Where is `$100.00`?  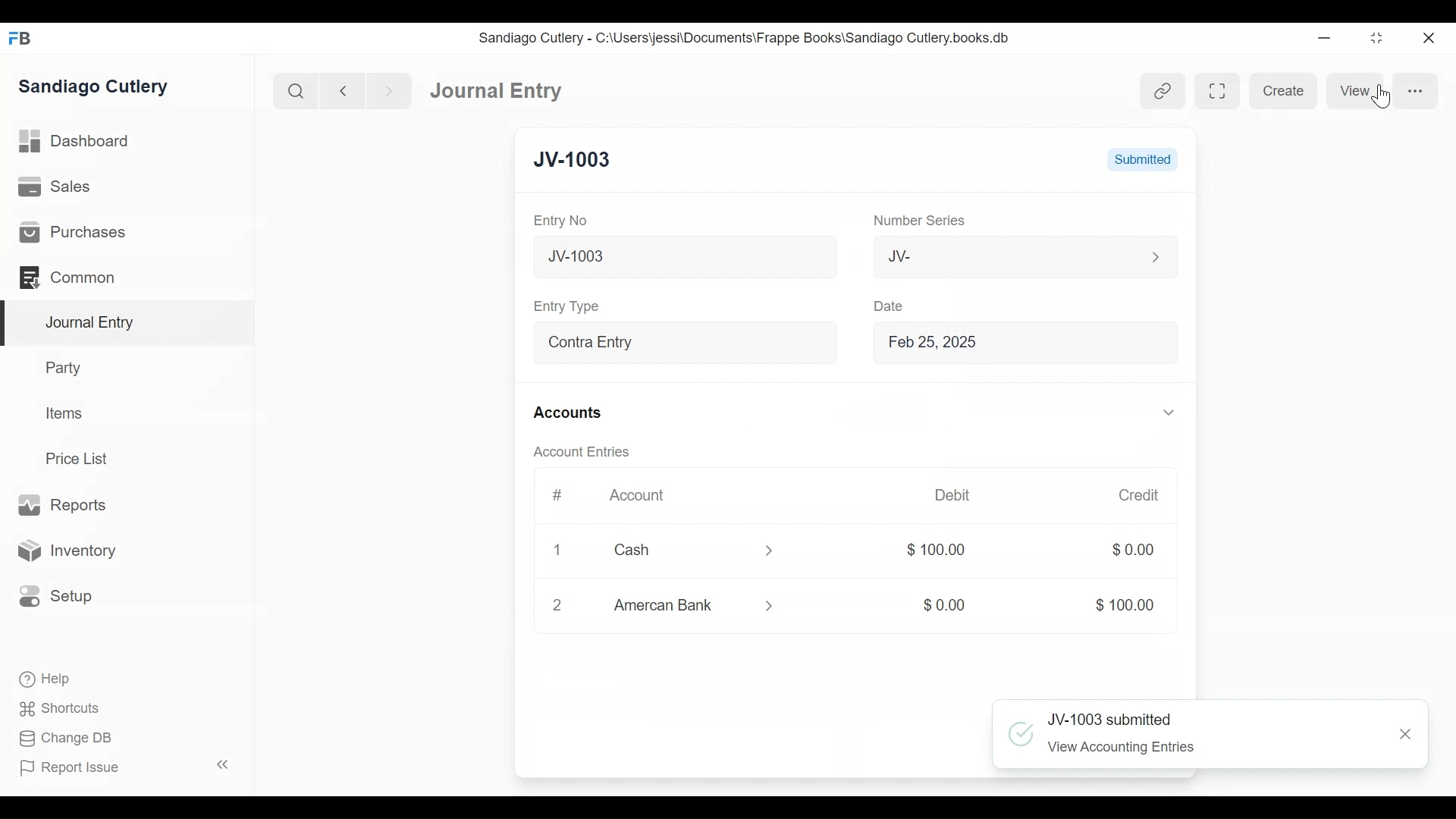 $100.00 is located at coordinates (1118, 605).